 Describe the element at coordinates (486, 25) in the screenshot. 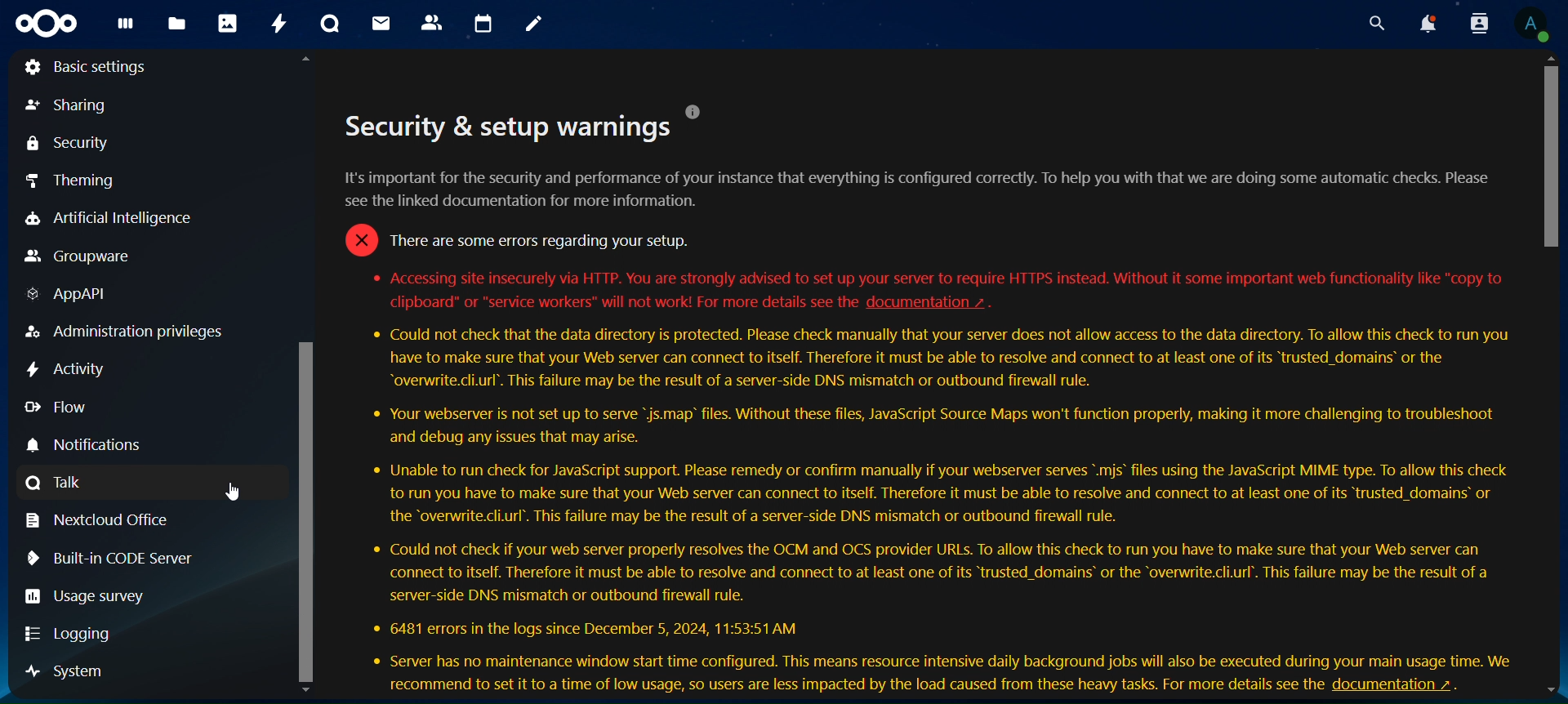

I see `calendar` at that location.